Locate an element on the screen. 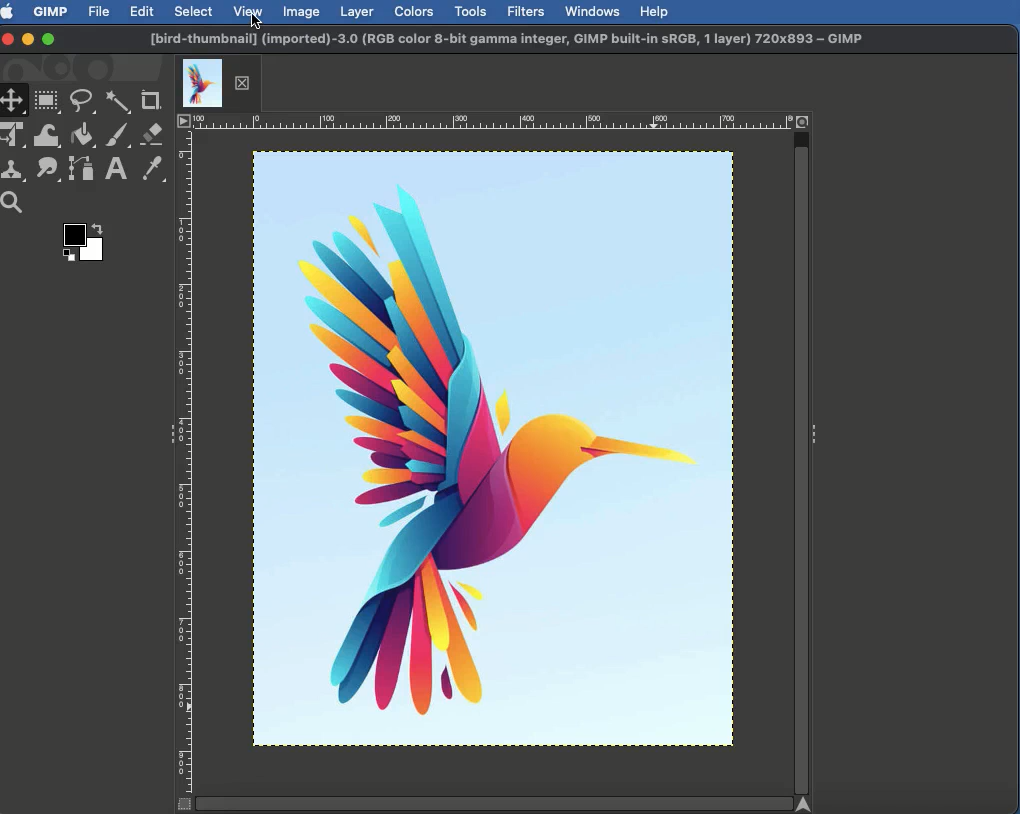  Maximize is located at coordinates (48, 41).